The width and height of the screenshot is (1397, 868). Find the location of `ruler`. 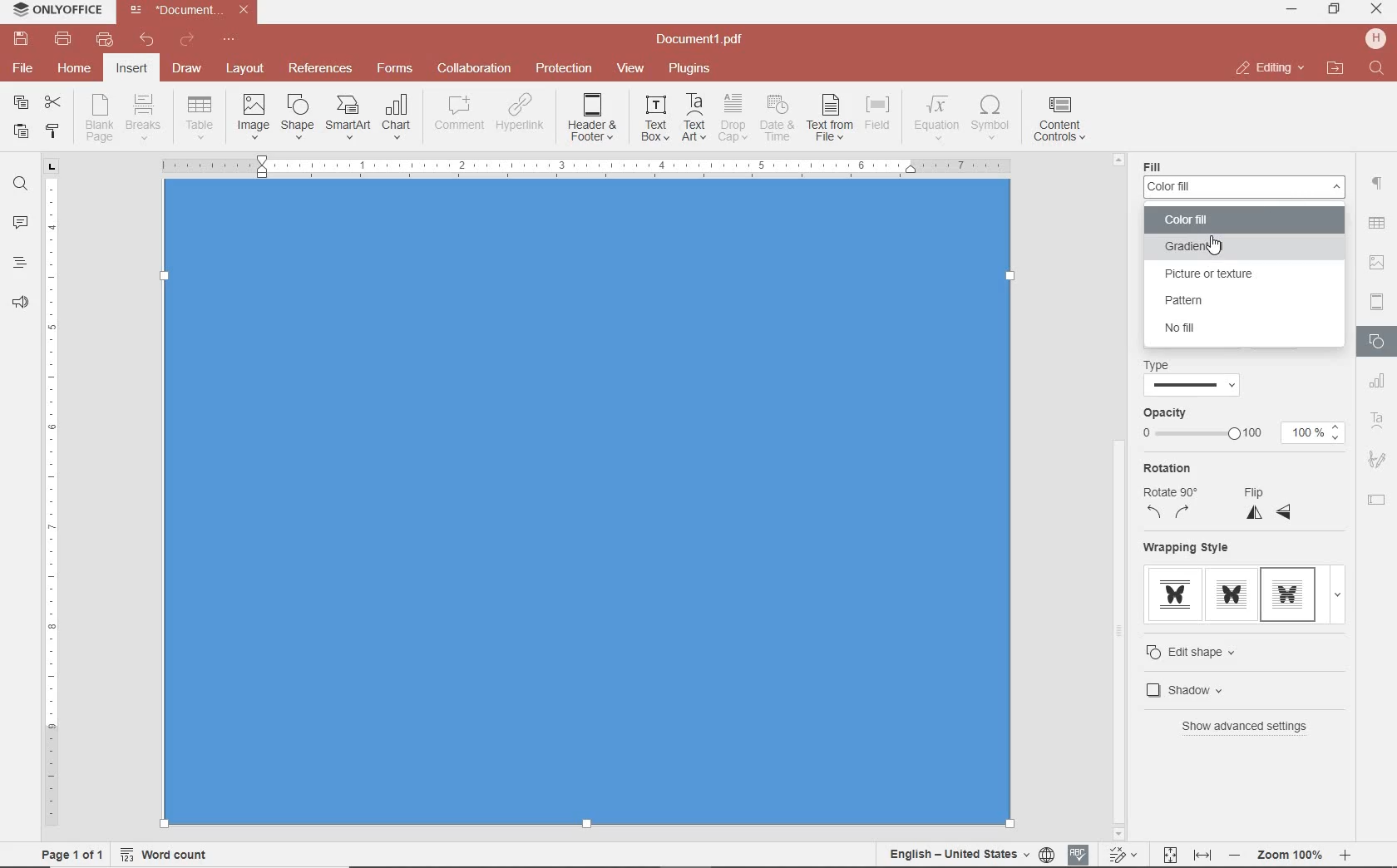

ruler is located at coordinates (52, 508).